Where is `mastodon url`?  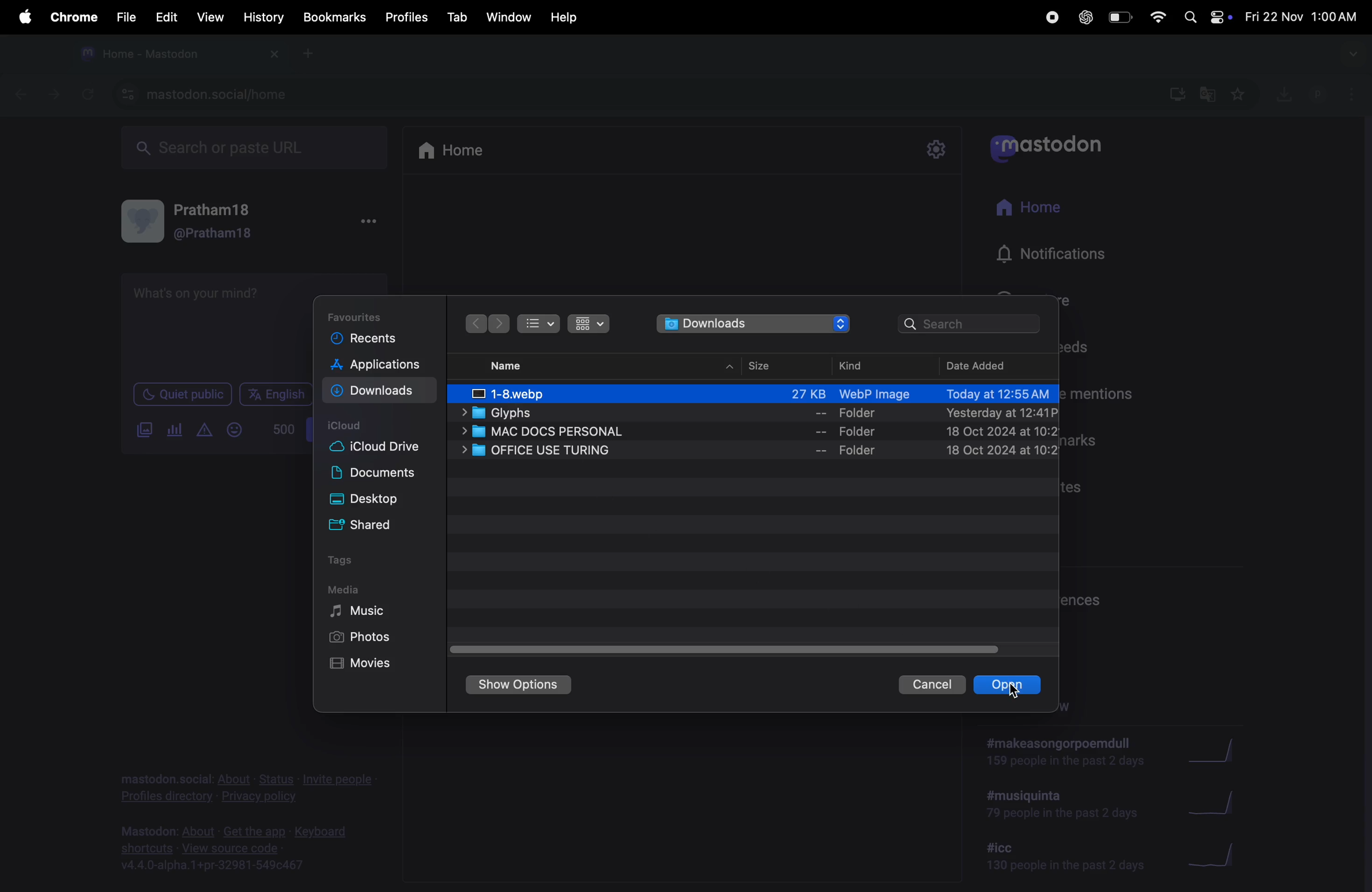 mastodon url is located at coordinates (240, 95).